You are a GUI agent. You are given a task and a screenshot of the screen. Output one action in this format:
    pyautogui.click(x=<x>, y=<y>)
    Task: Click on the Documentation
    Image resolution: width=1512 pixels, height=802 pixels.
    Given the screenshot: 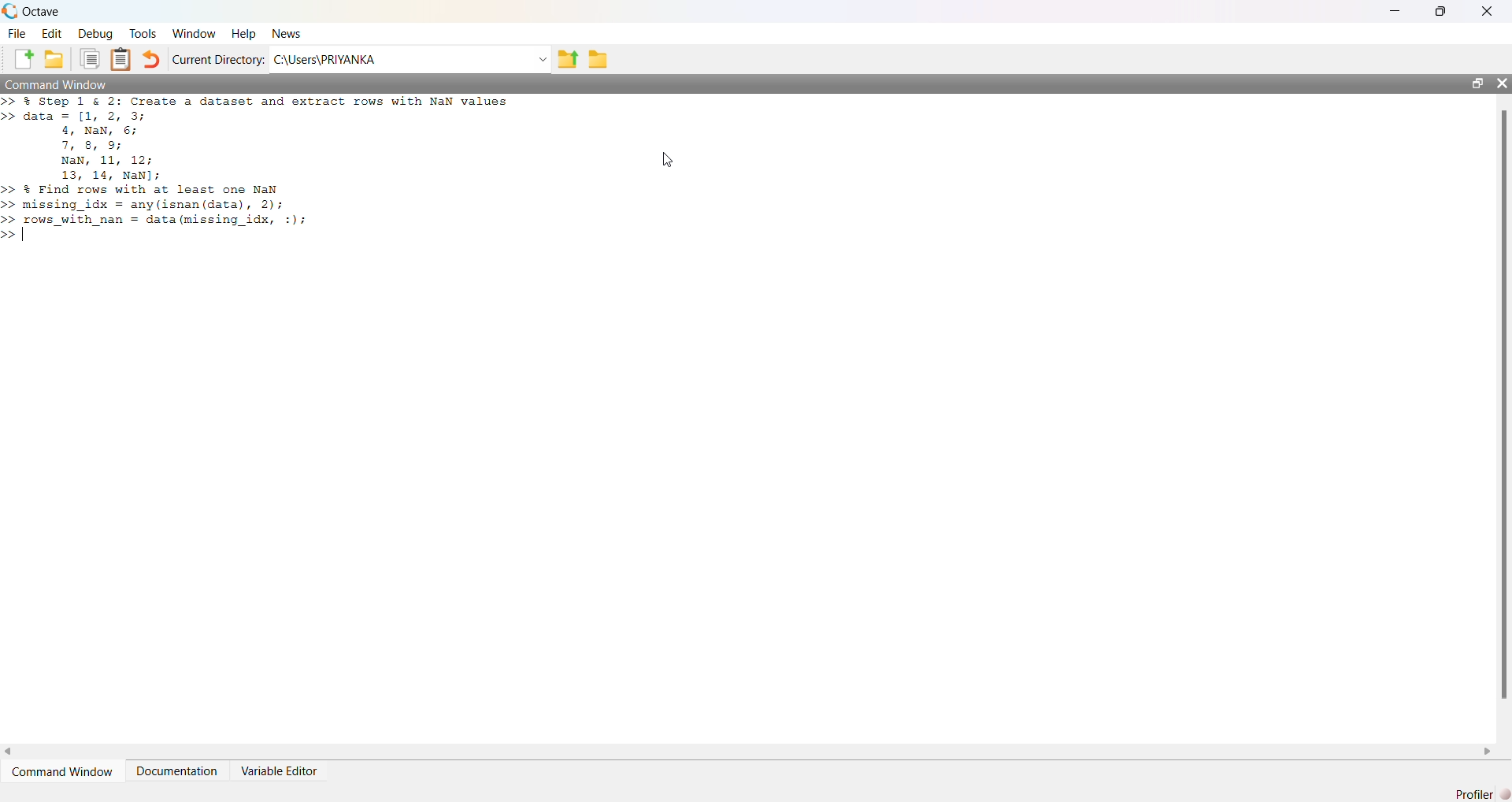 What is the action you would take?
    pyautogui.click(x=176, y=771)
    